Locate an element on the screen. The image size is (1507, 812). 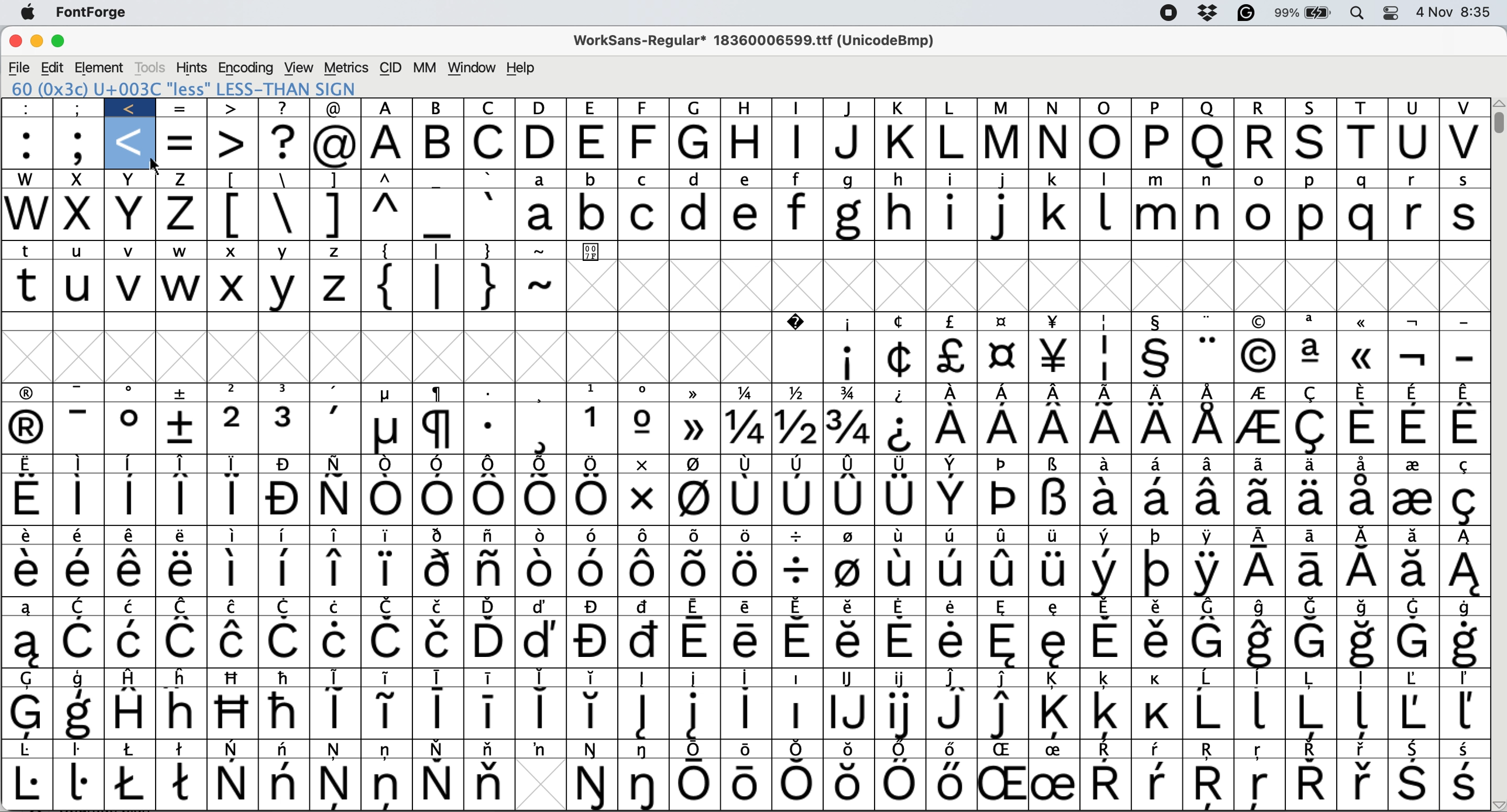
system logo is located at coordinates (29, 12).